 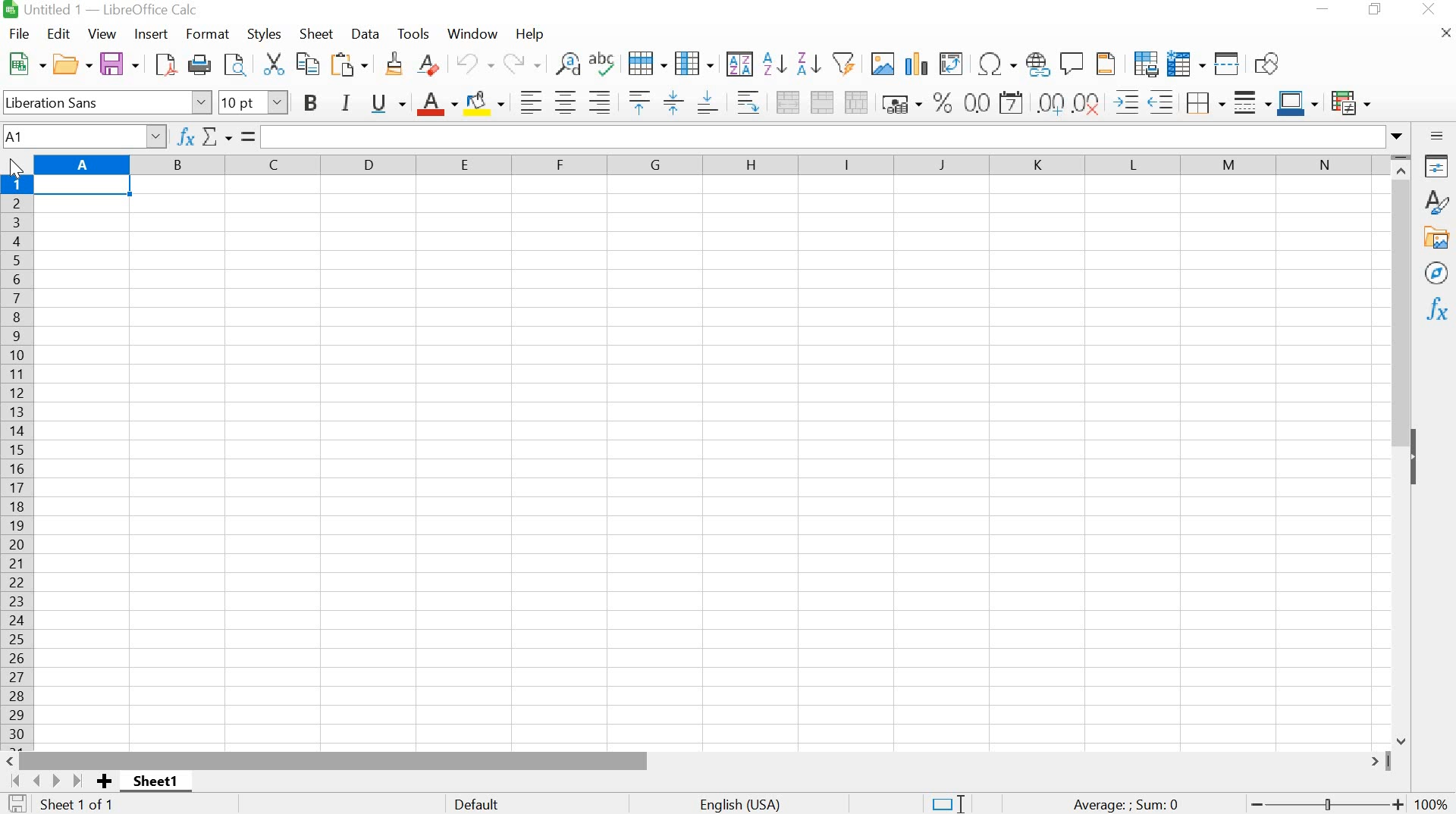 What do you see at coordinates (843, 64) in the screenshot?
I see `AutoFilter` at bounding box center [843, 64].